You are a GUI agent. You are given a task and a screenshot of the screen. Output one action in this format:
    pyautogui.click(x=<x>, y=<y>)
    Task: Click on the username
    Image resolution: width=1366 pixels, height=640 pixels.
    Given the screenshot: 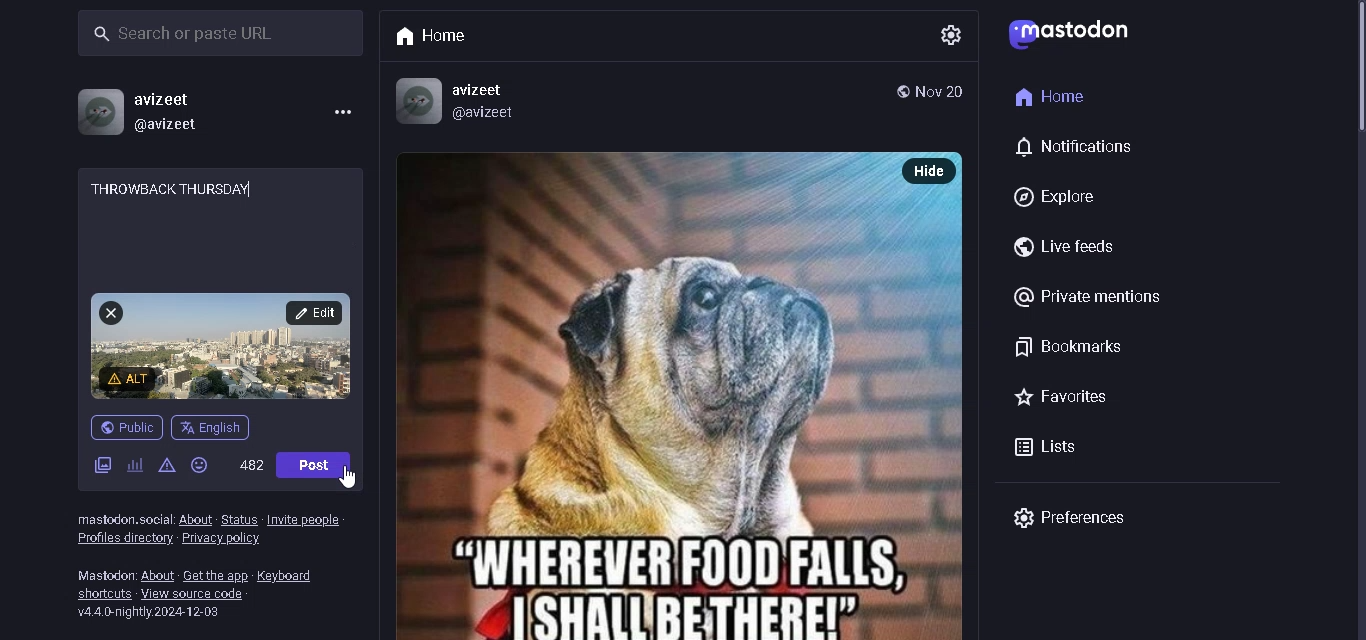 What is the action you would take?
    pyautogui.click(x=171, y=98)
    